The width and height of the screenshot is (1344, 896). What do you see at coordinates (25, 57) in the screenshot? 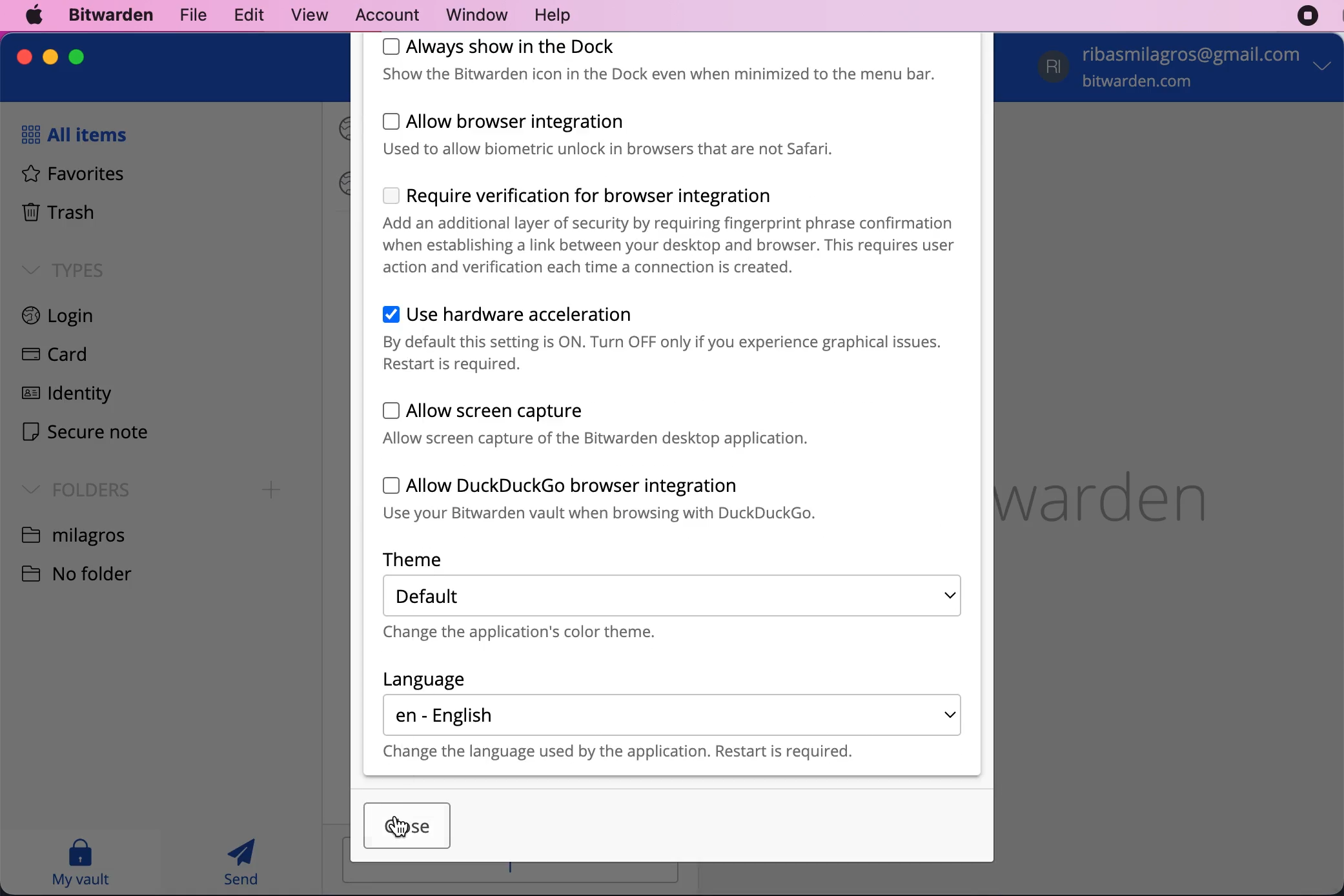
I see `close` at bounding box center [25, 57].